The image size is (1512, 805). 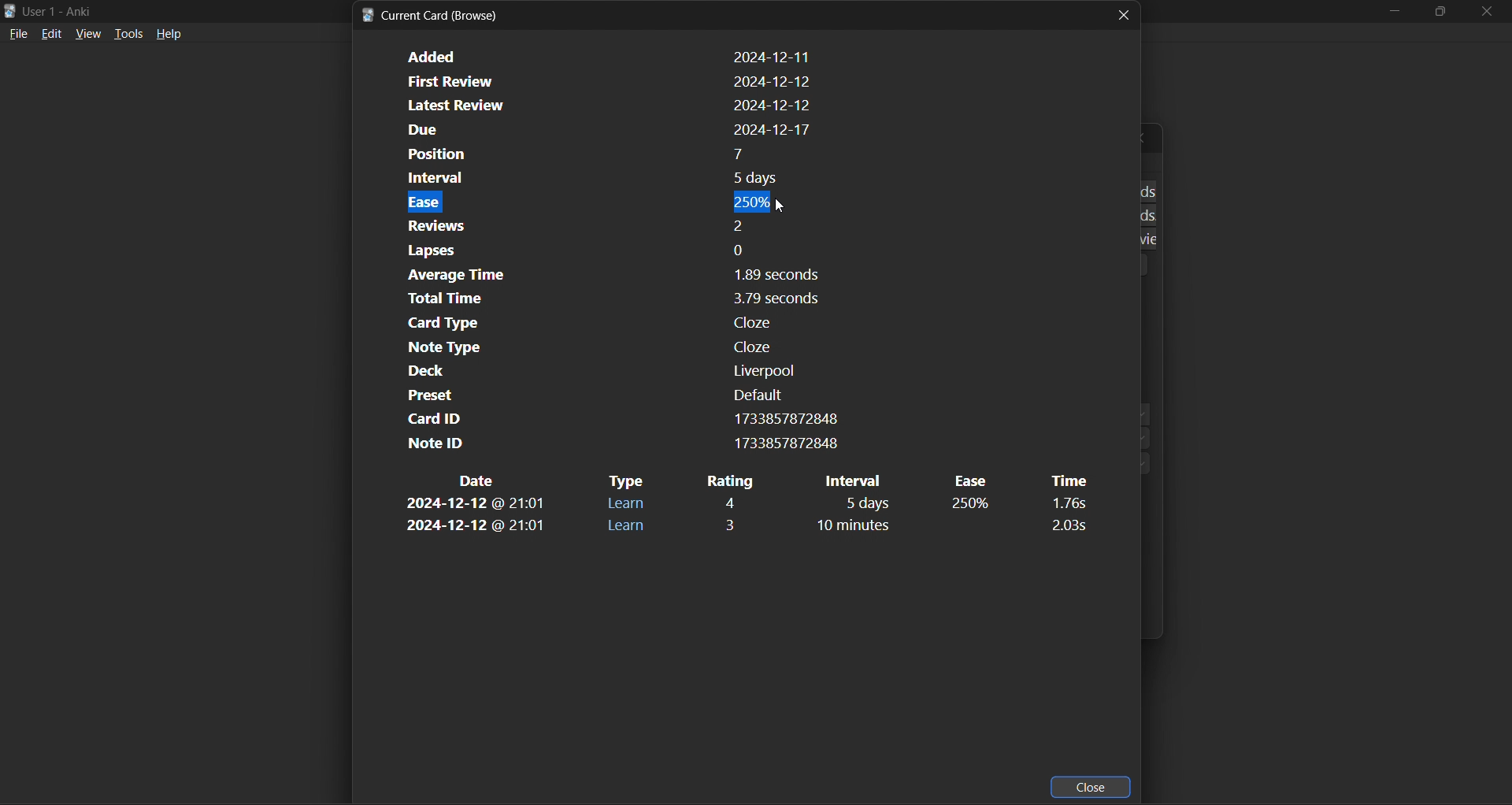 I want to click on date, so click(x=475, y=527).